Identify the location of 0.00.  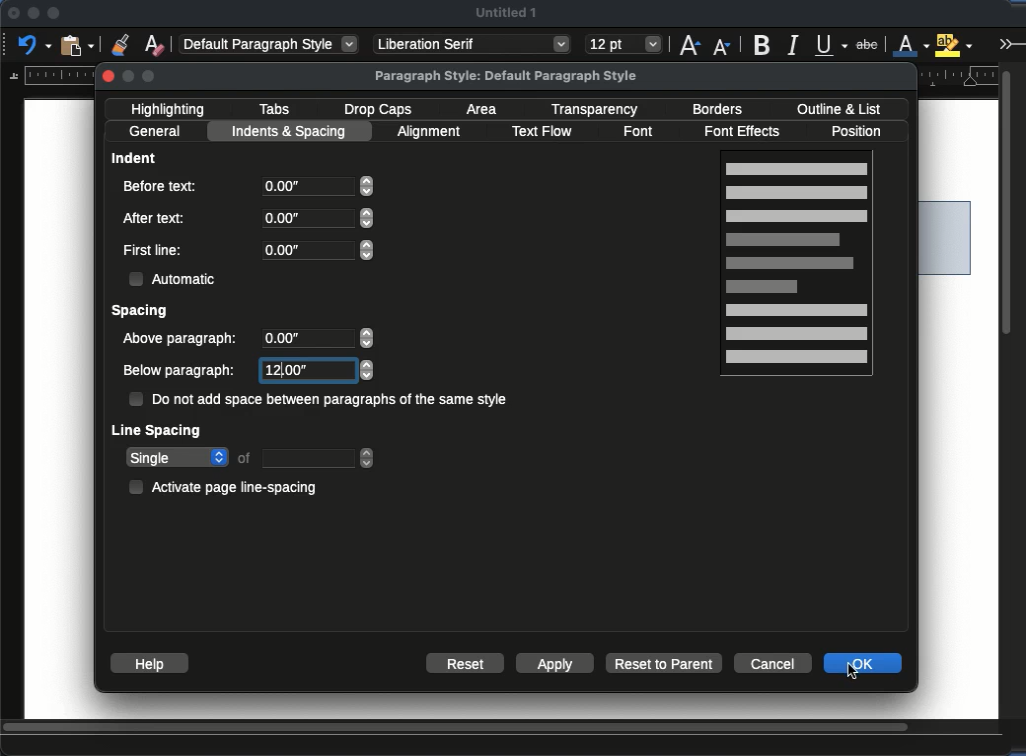
(317, 186).